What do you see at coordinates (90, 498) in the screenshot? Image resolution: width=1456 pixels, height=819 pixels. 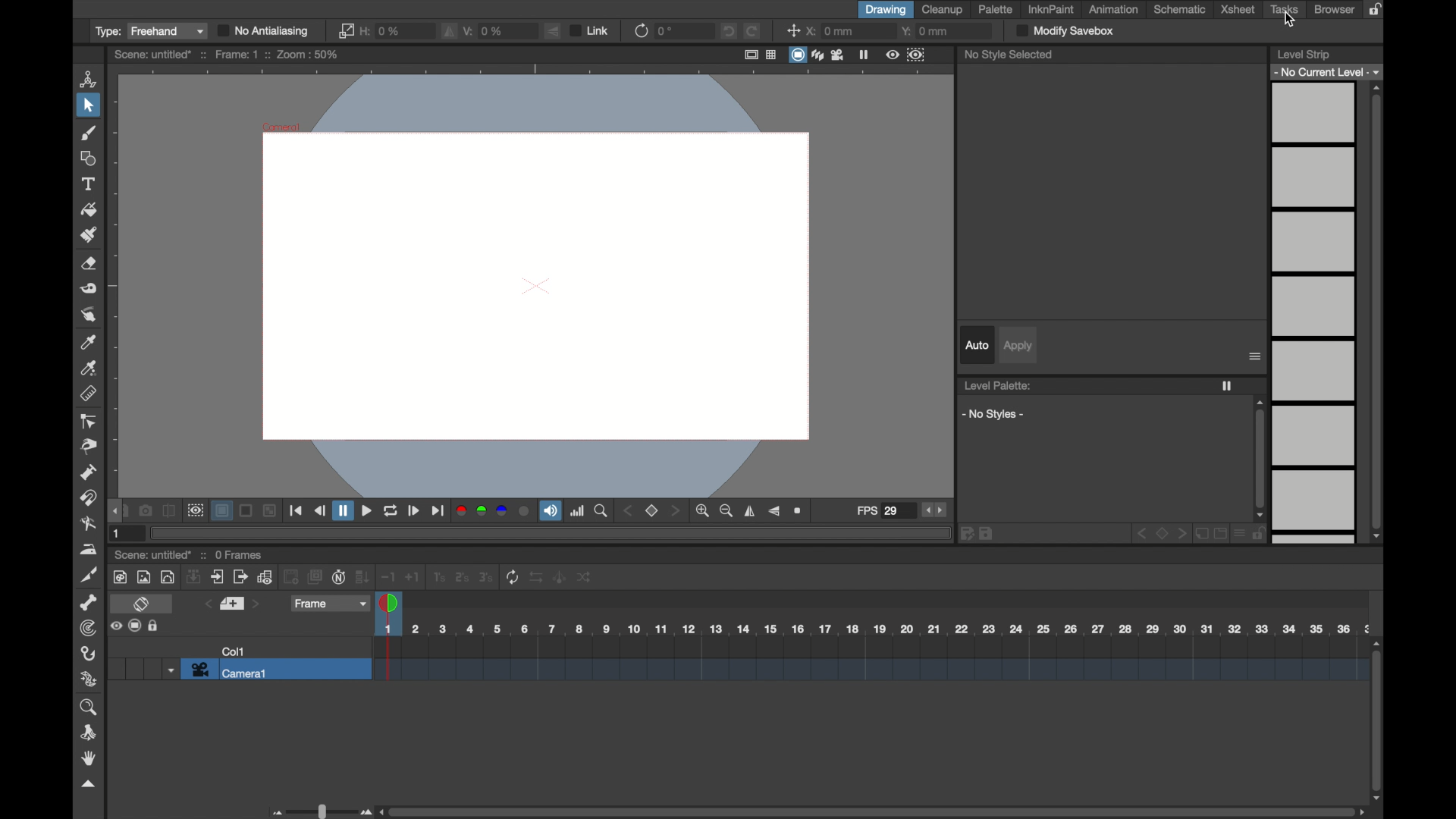 I see `magnet tool` at bounding box center [90, 498].